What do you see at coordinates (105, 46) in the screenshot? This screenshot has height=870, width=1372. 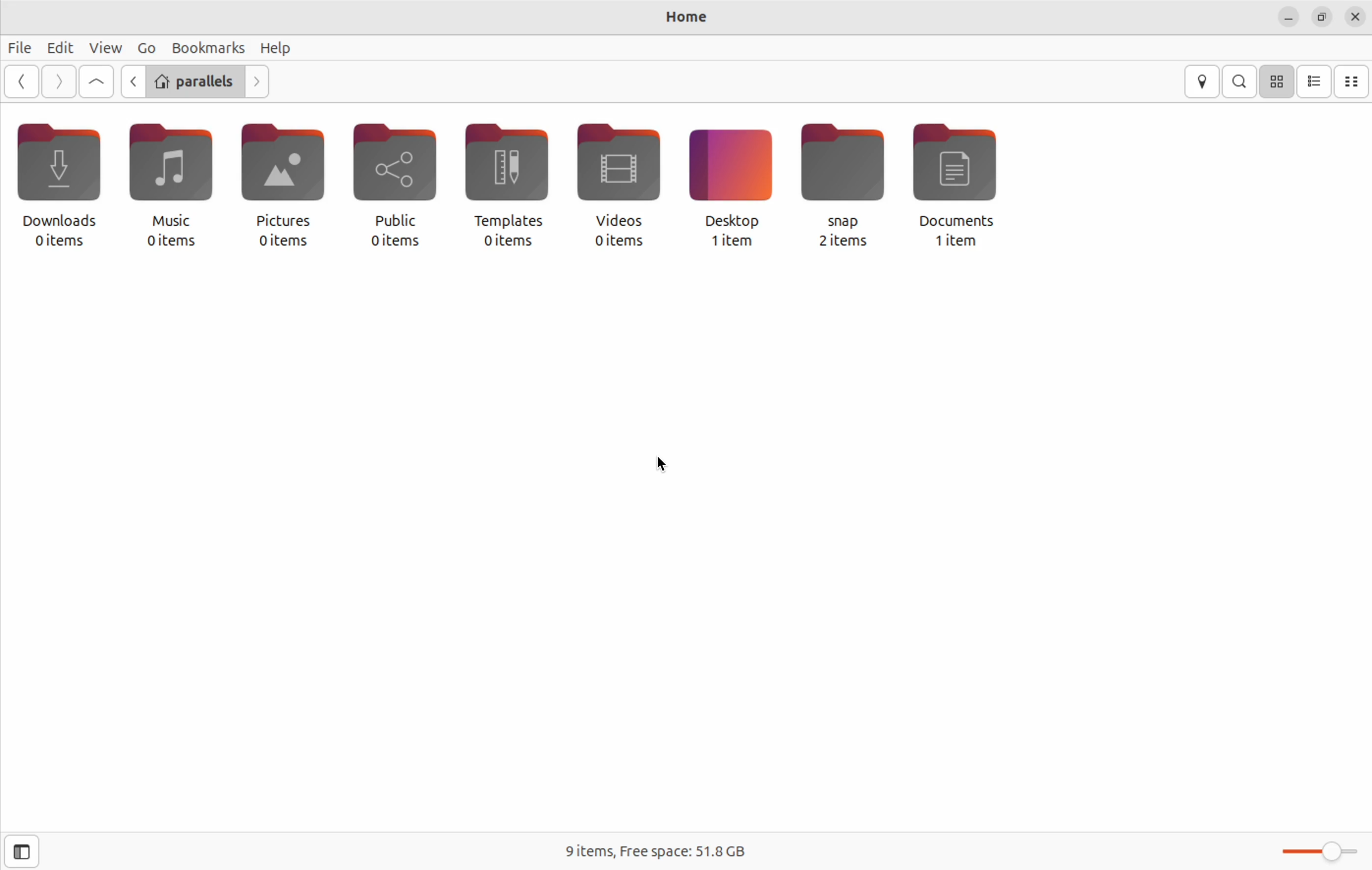 I see `view ` at bounding box center [105, 46].